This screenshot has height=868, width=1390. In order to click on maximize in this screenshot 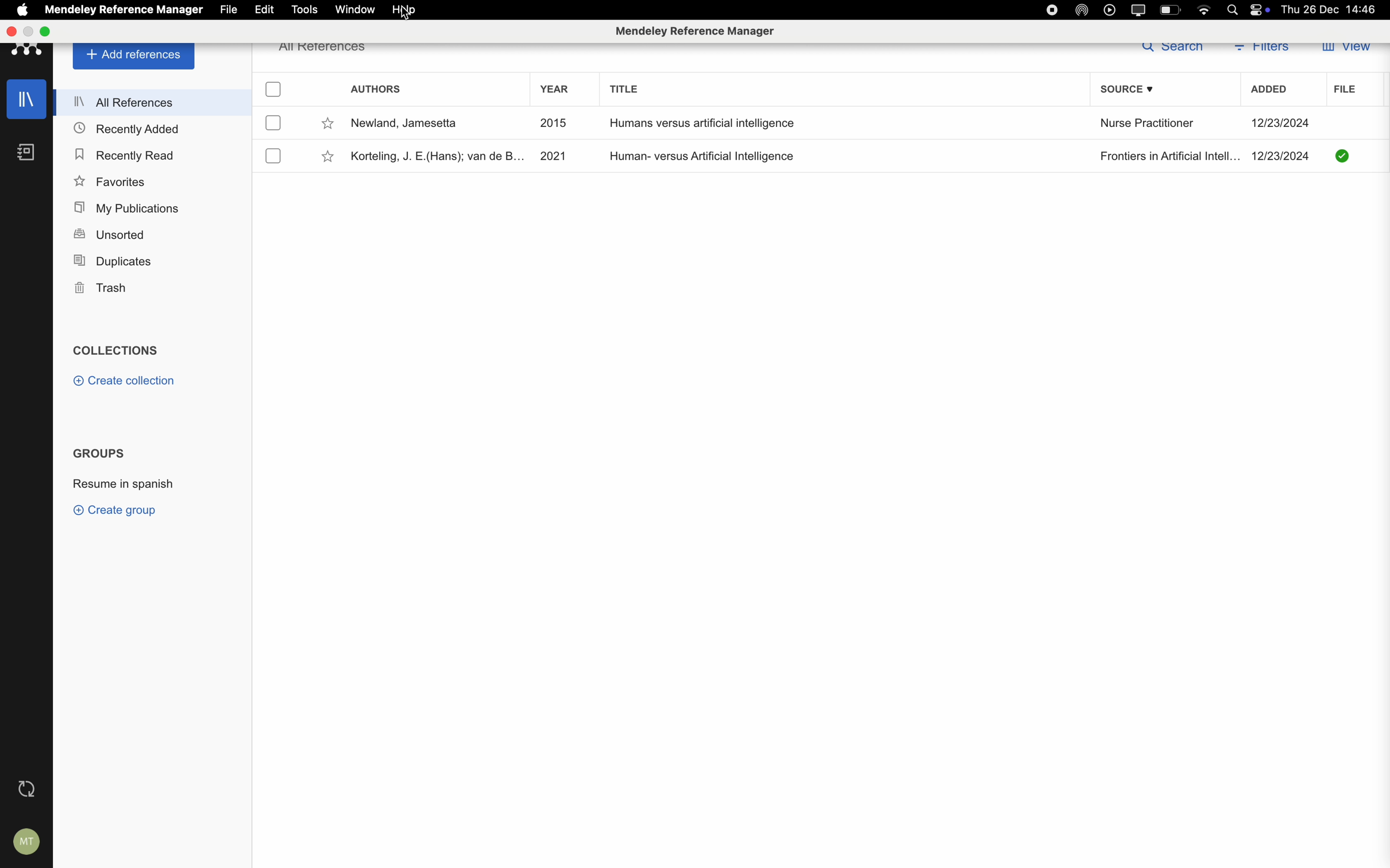, I will do `click(46, 31)`.